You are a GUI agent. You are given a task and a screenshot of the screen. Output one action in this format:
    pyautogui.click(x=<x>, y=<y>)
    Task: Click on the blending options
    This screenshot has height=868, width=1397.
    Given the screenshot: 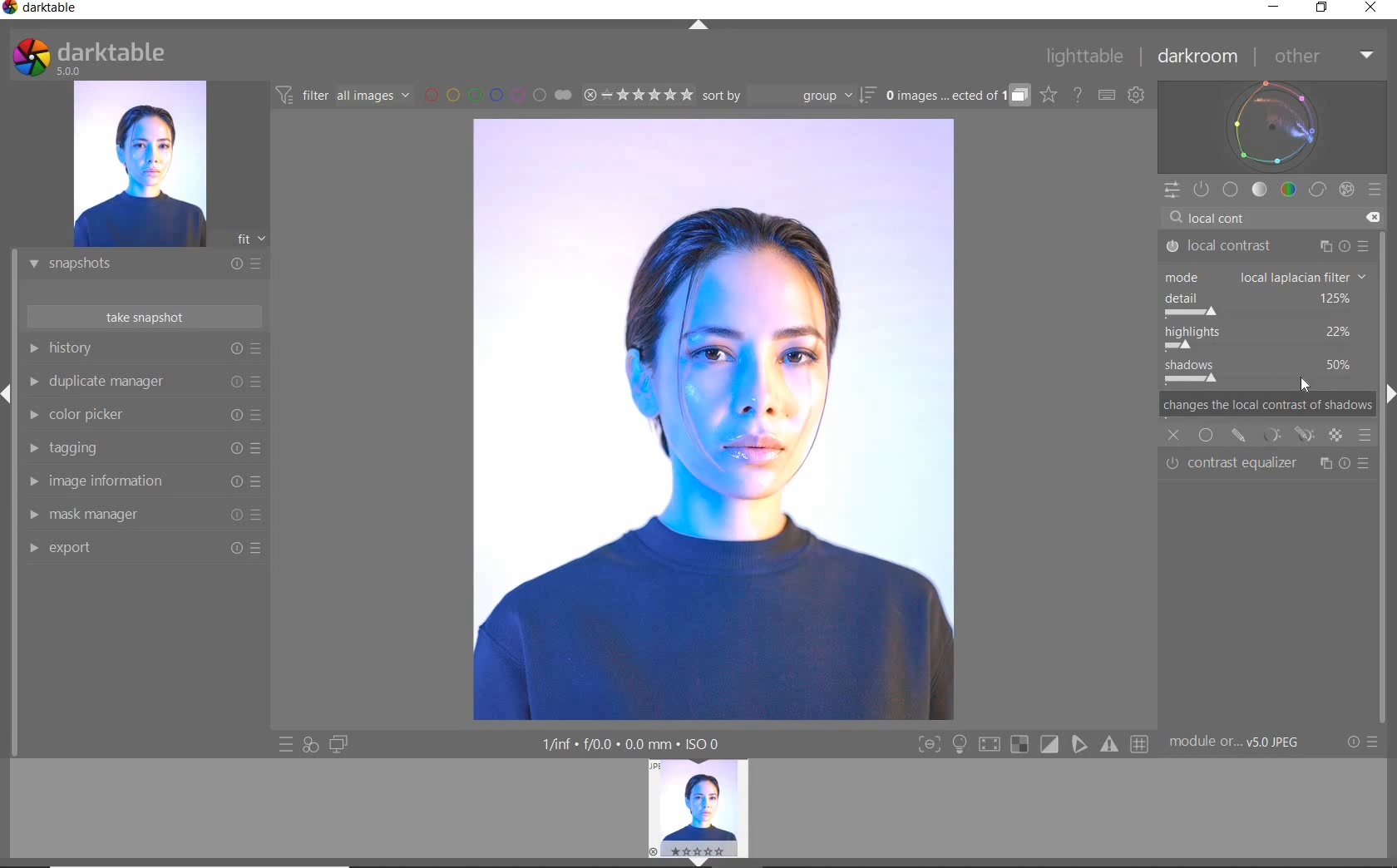 What is the action you would take?
    pyautogui.click(x=1365, y=434)
    